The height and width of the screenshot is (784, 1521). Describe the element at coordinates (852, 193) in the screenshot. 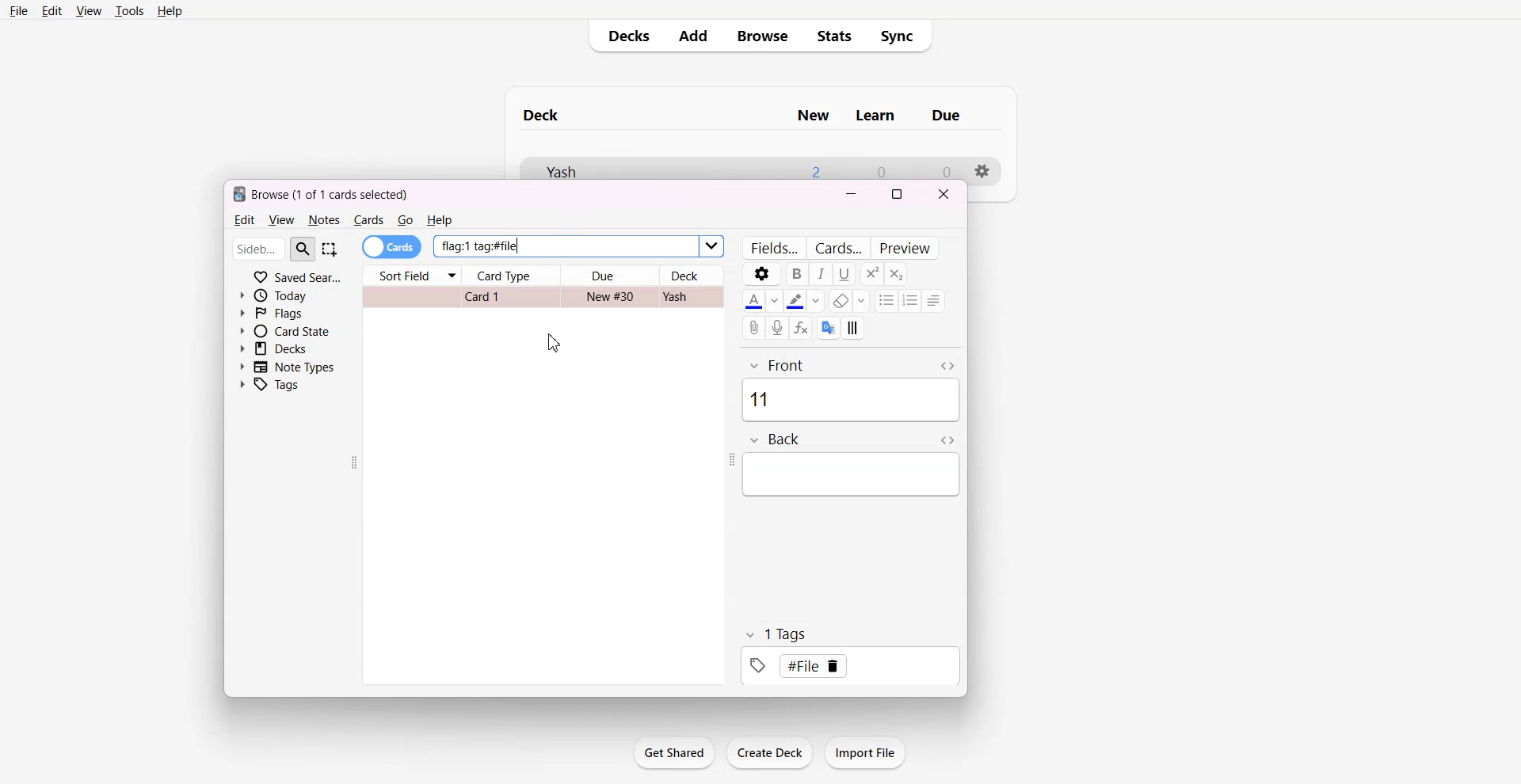

I see `Minimize` at that location.